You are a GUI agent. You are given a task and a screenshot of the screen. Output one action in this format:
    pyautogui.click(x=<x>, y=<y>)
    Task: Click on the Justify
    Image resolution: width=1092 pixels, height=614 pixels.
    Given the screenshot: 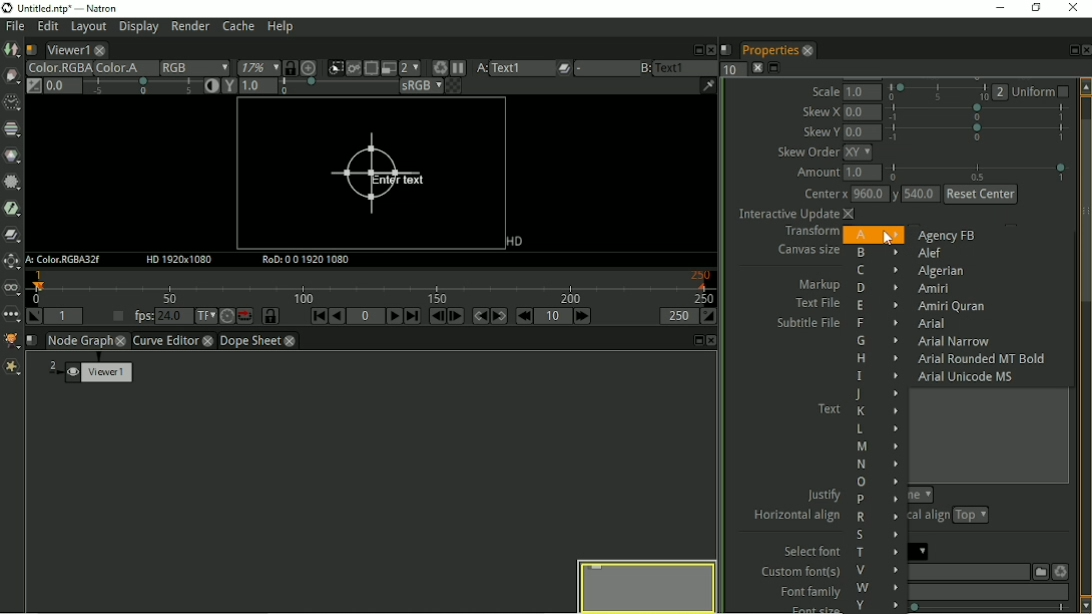 What is the action you would take?
    pyautogui.click(x=824, y=493)
    